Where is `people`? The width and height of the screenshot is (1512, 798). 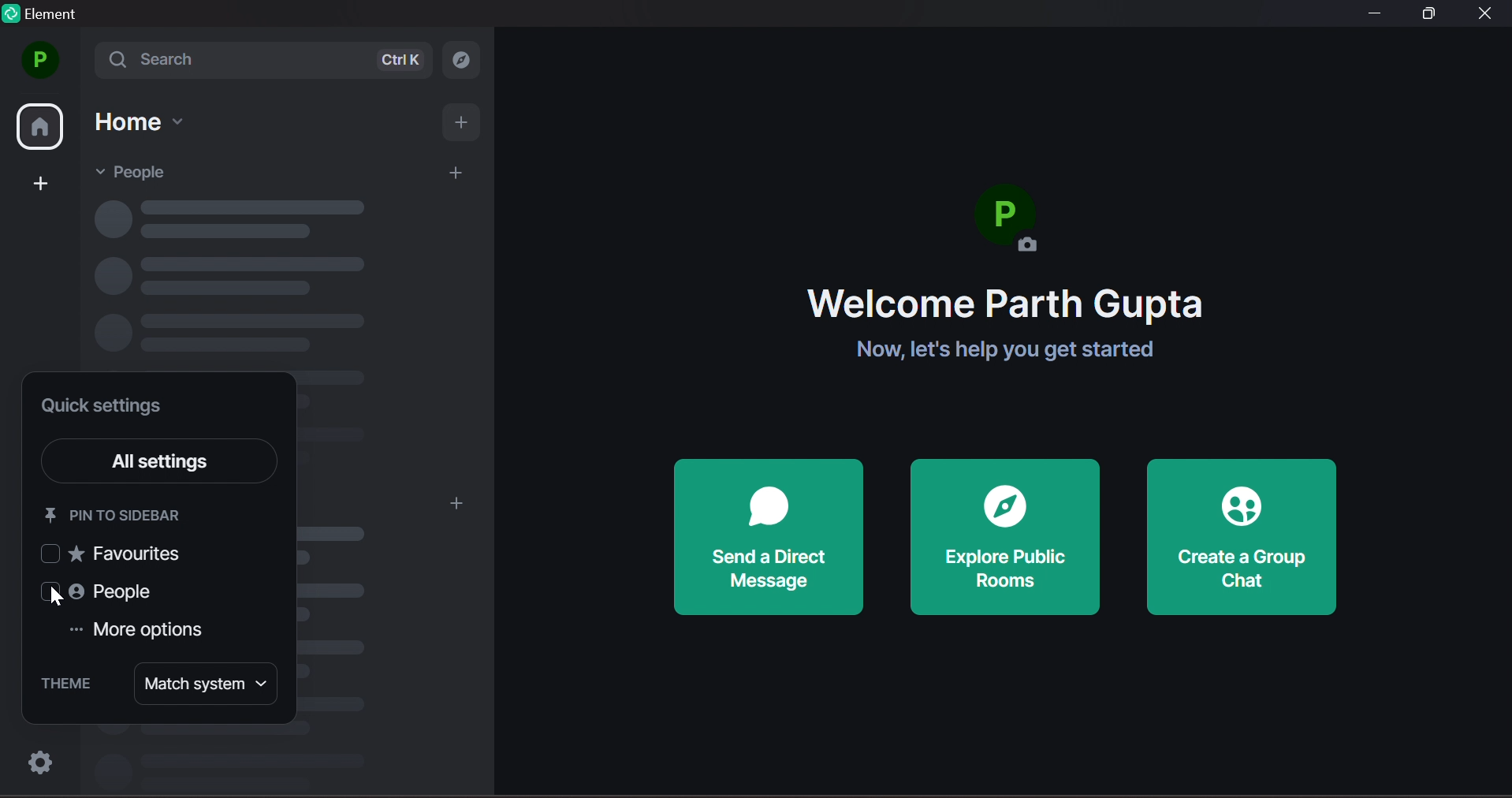 people is located at coordinates (140, 171).